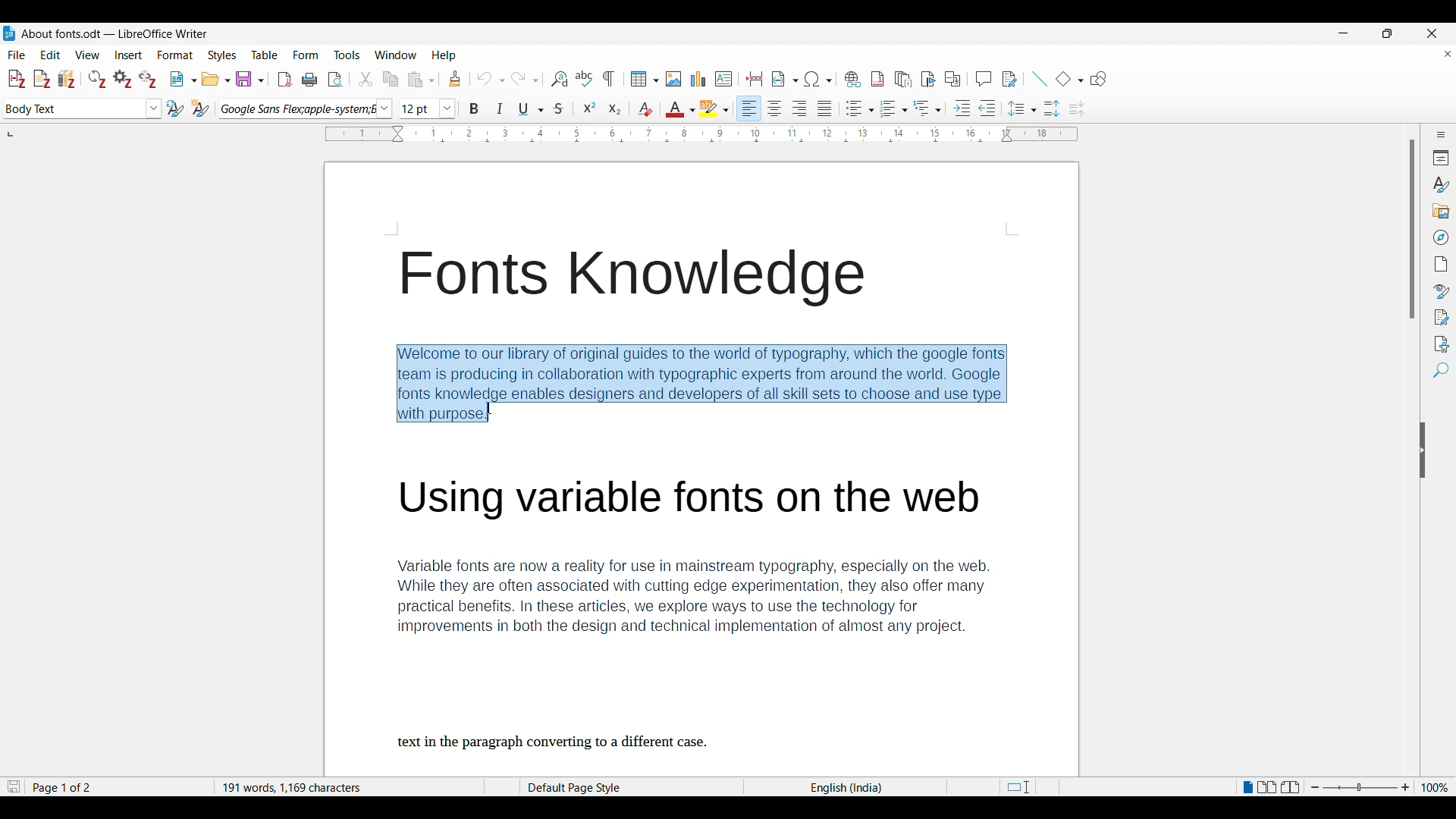  I want to click on Insert comment, so click(984, 79).